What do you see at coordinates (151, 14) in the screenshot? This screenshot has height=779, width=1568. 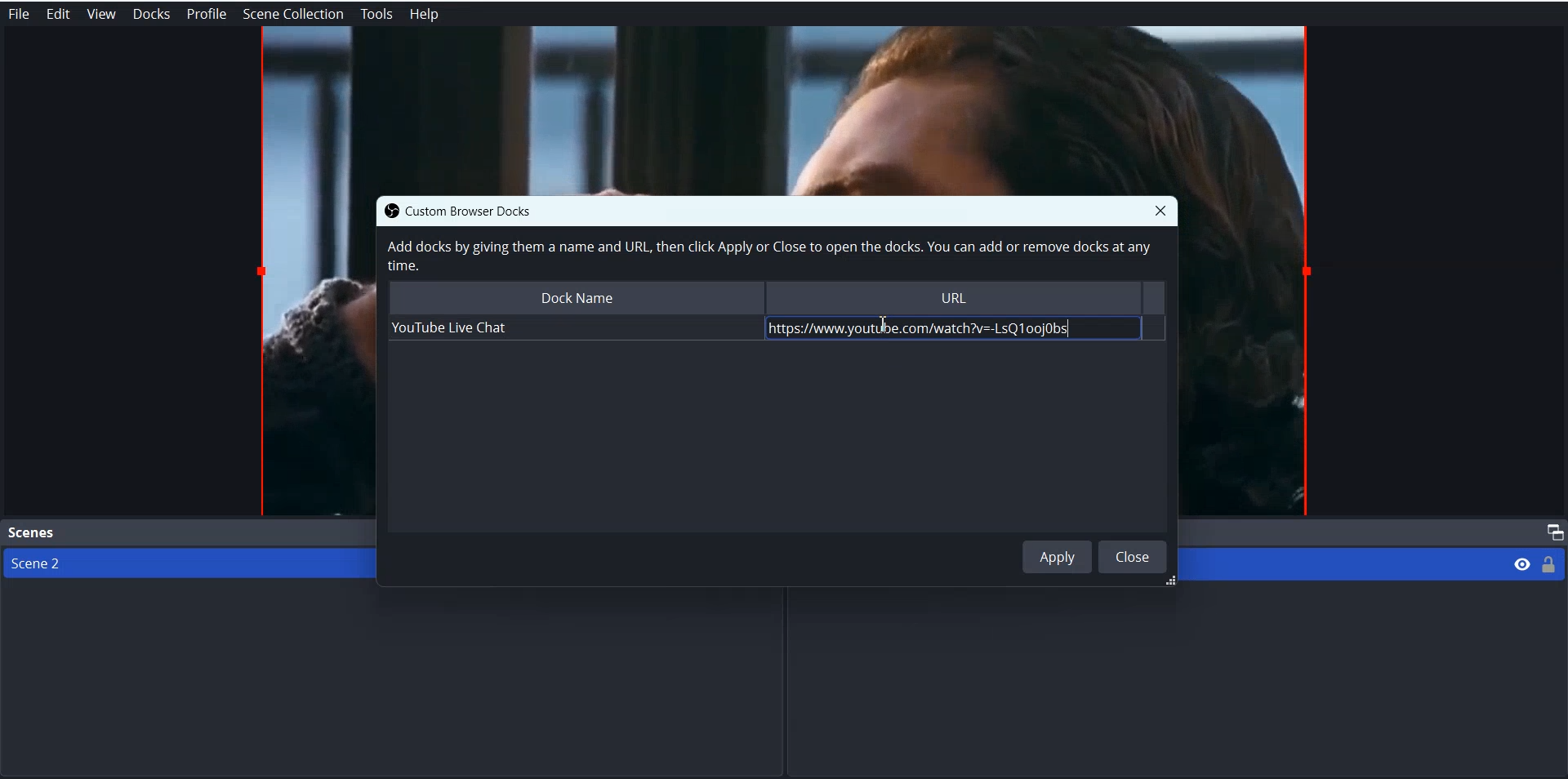 I see `Docks` at bounding box center [151, 14].